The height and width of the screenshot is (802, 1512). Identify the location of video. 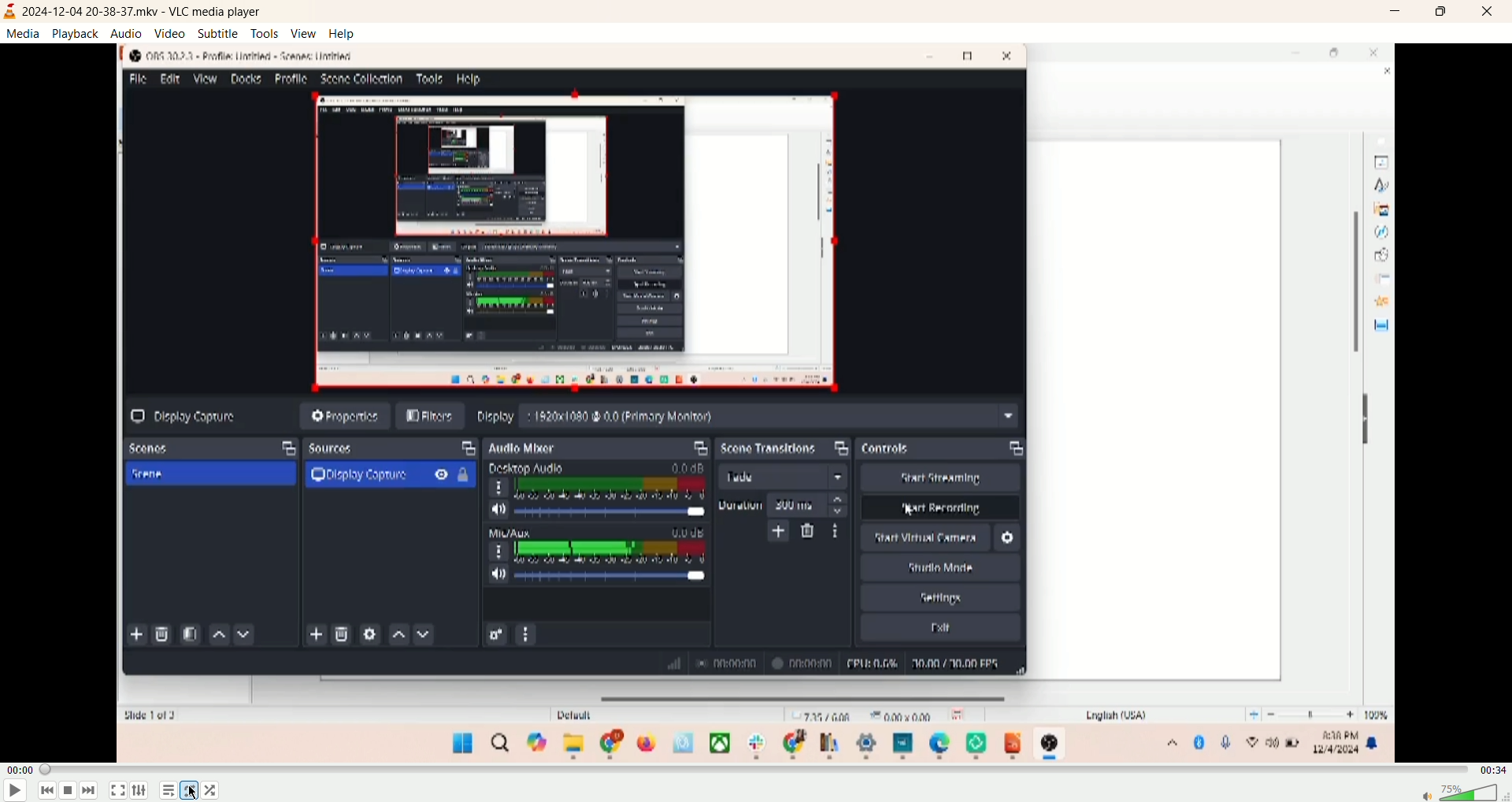
(171, 33).